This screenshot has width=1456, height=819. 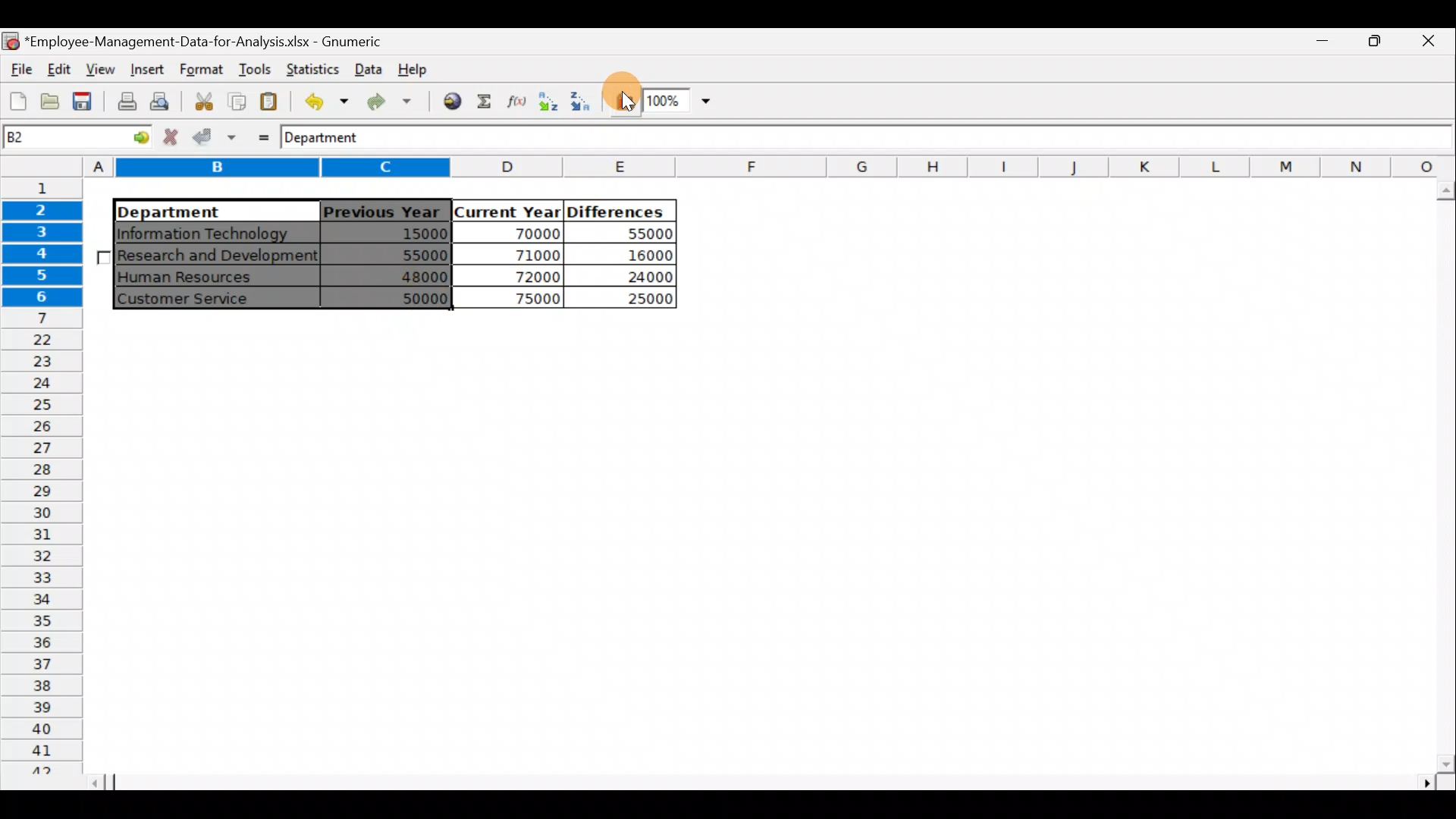 What do you see at coordinates (402, 297) in the screenshot?
I see `50000` at bounding box center [402, 297].